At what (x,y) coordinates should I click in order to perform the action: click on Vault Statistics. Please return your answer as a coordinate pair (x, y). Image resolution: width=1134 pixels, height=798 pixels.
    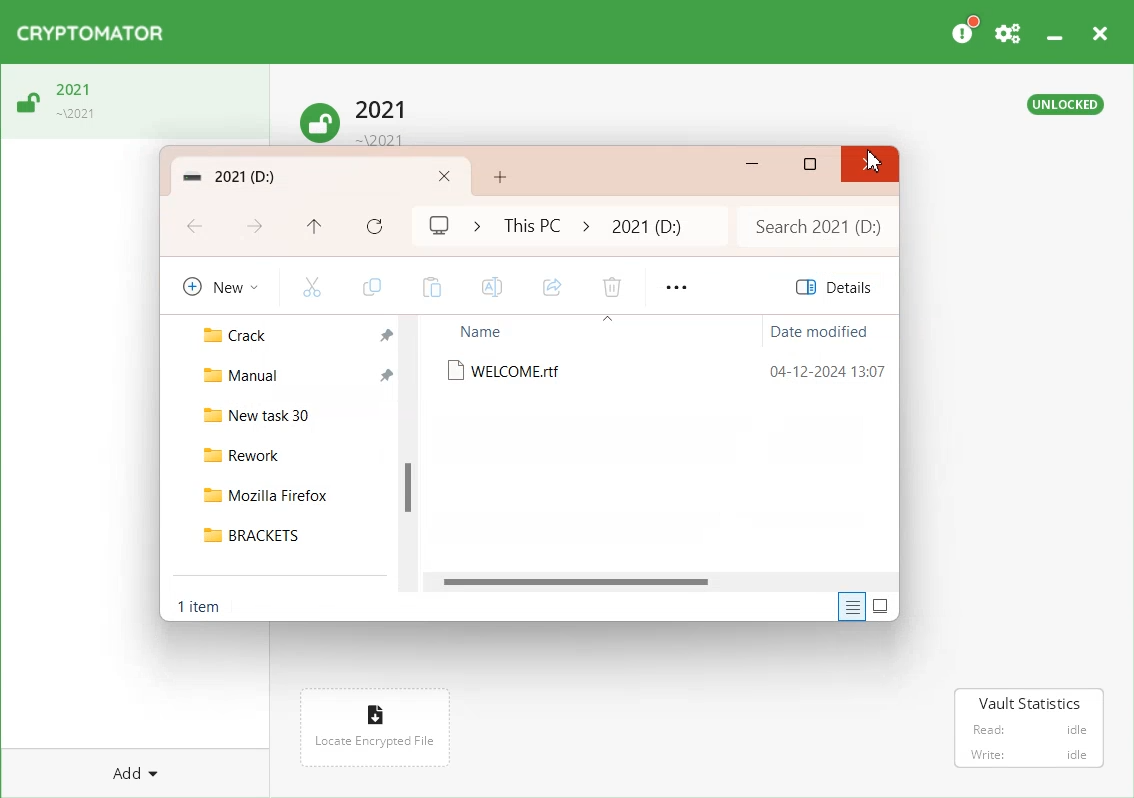
    Looking at the image, I should click on (1030, 730).